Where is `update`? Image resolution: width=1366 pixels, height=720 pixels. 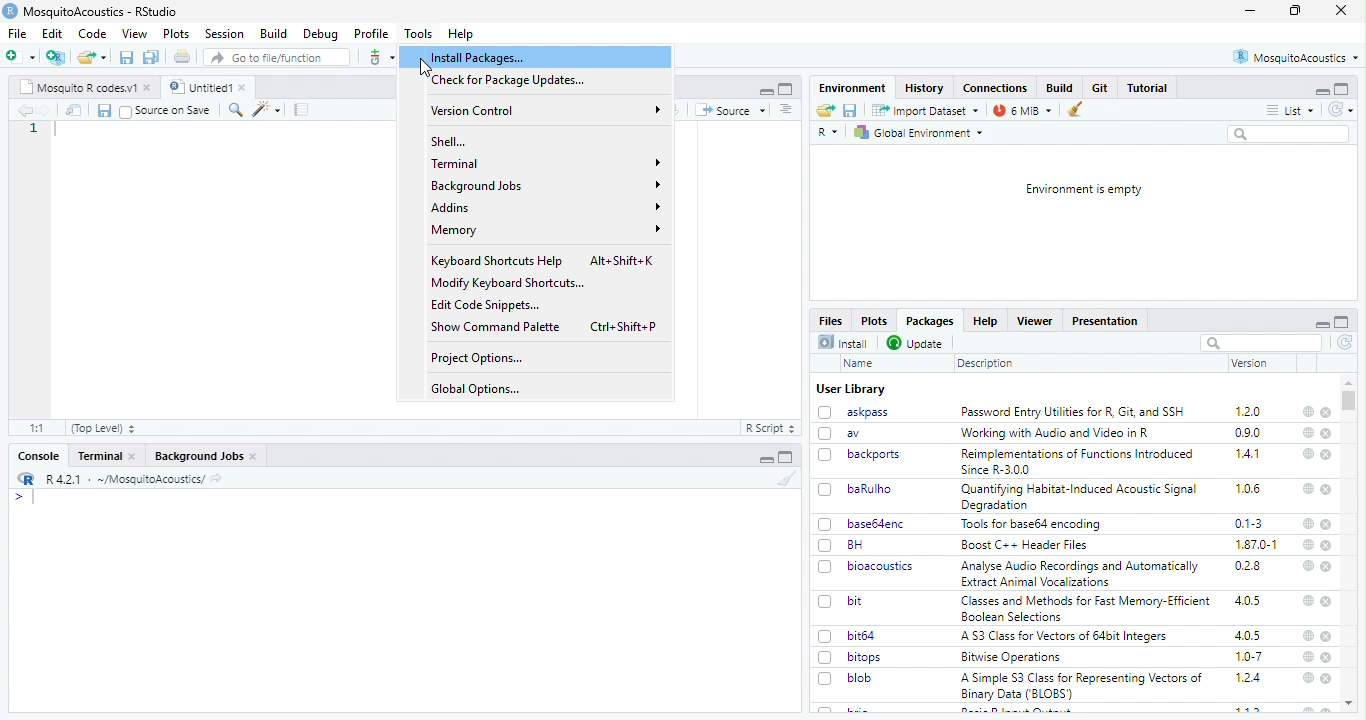
update is located at coordinates (917, 344).